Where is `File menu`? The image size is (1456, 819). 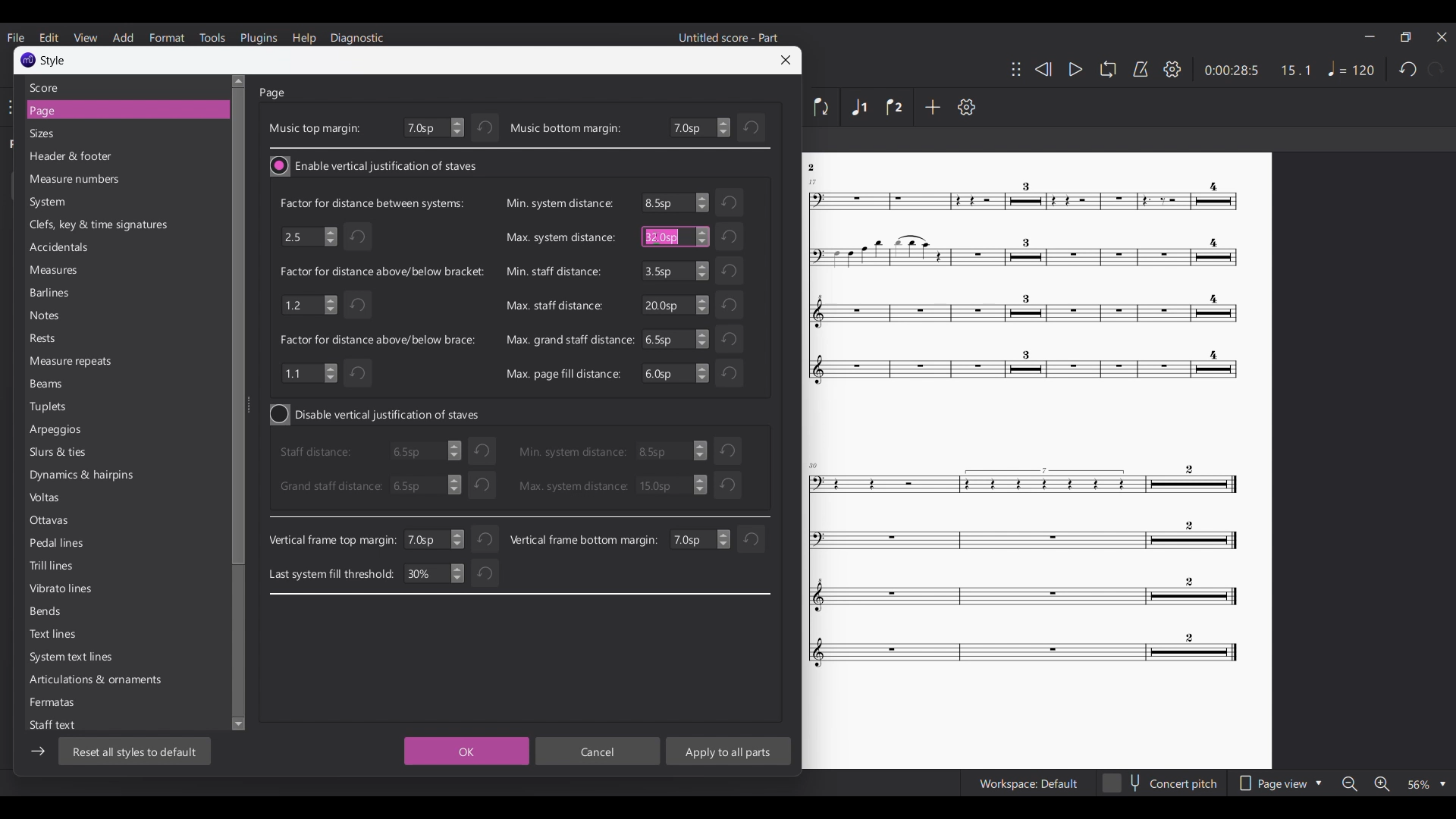
File menu is located at coordinates (15, 37).